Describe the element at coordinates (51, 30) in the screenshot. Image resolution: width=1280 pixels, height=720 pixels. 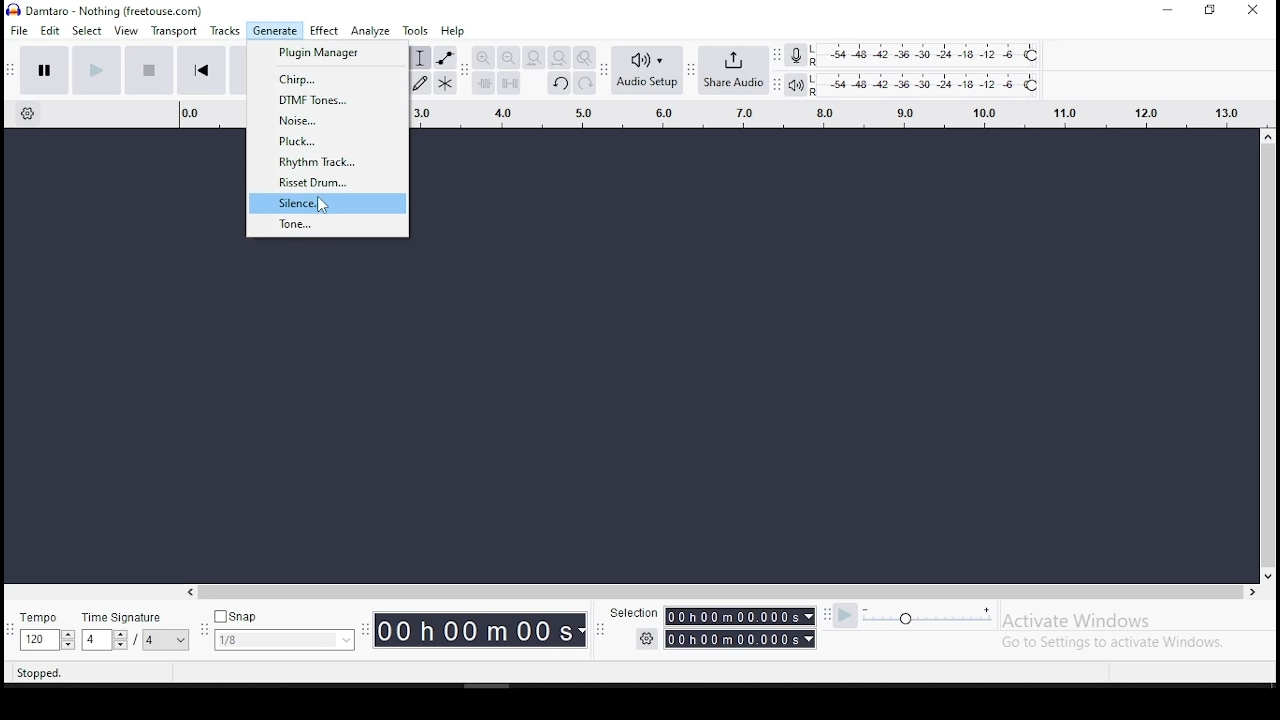
I see `edit` at that location.